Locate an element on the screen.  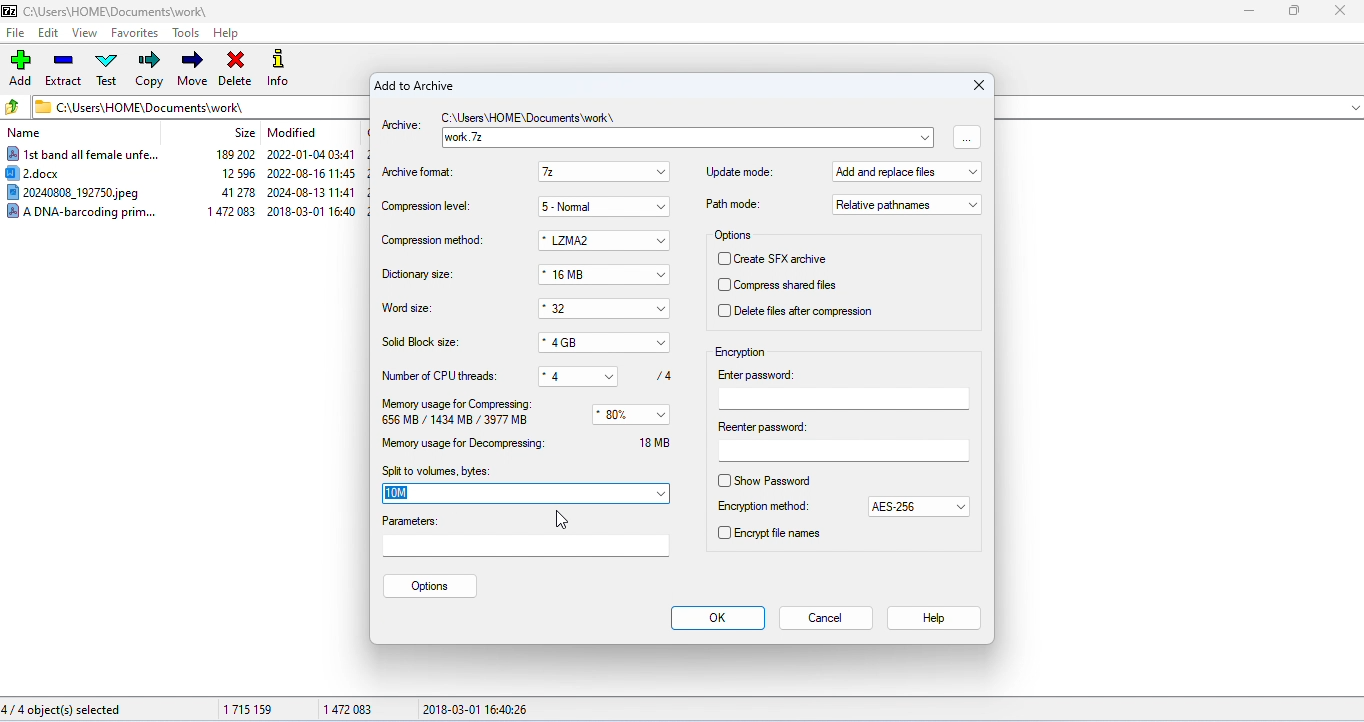
C:\Users\HOME\Documents work \ is located at coordinates (531, 119).